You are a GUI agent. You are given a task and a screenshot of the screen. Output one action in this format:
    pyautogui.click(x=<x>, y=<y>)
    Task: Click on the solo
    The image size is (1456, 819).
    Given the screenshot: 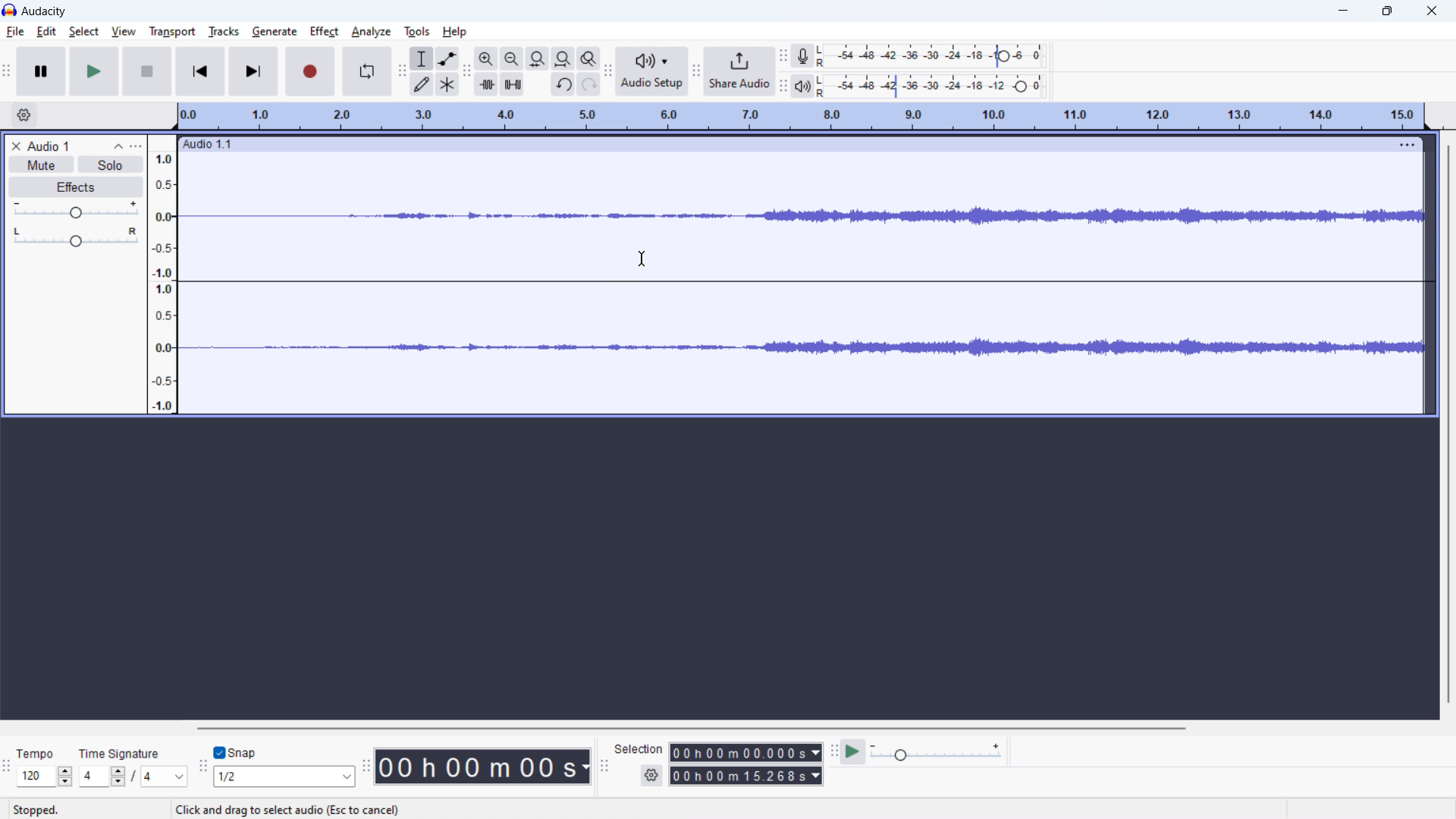 What is the action you would take?
    pyautogui.click(x=110, y=165)
    